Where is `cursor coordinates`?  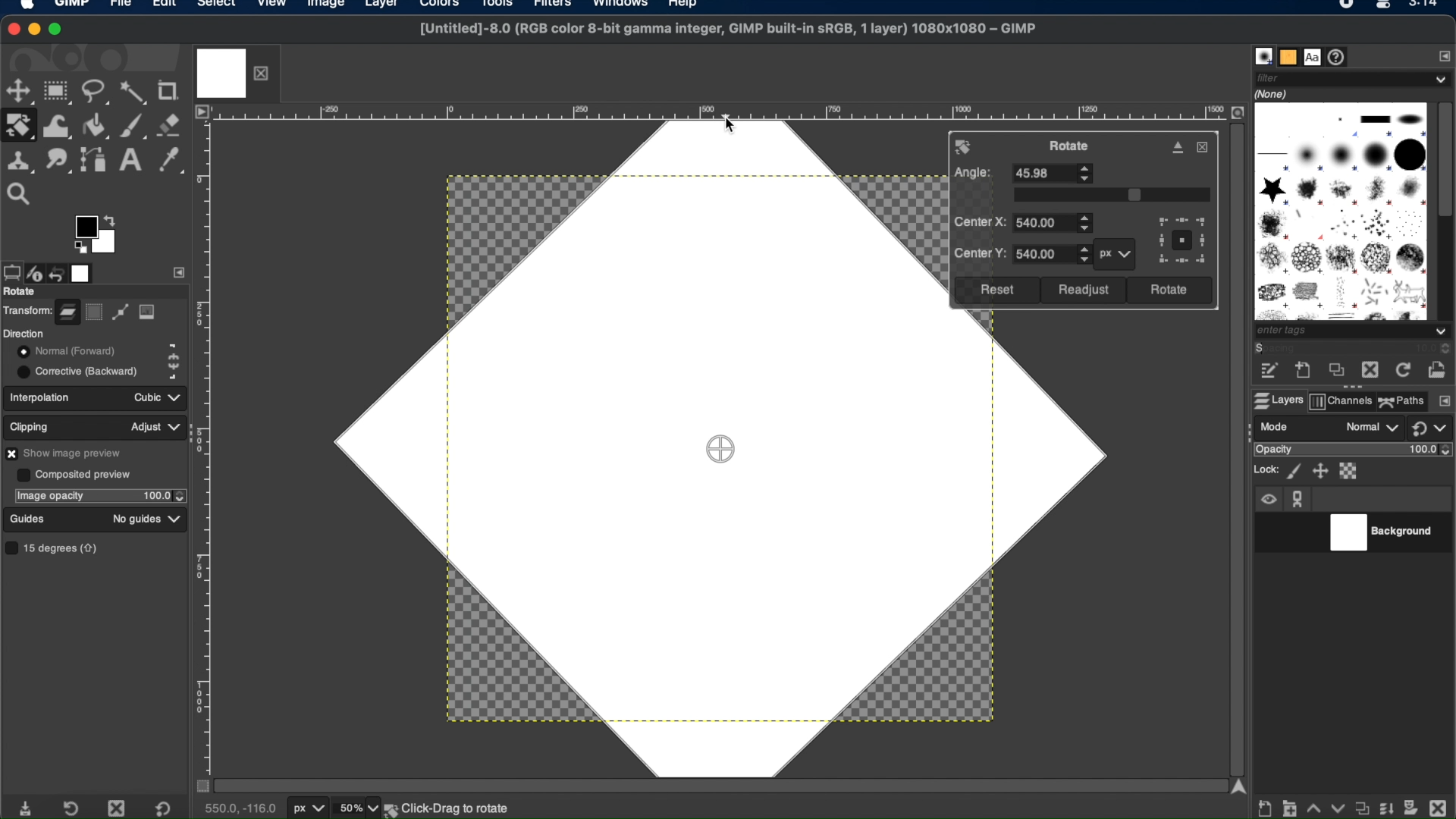 cursor coordinates is located at coordinates (242, 808).